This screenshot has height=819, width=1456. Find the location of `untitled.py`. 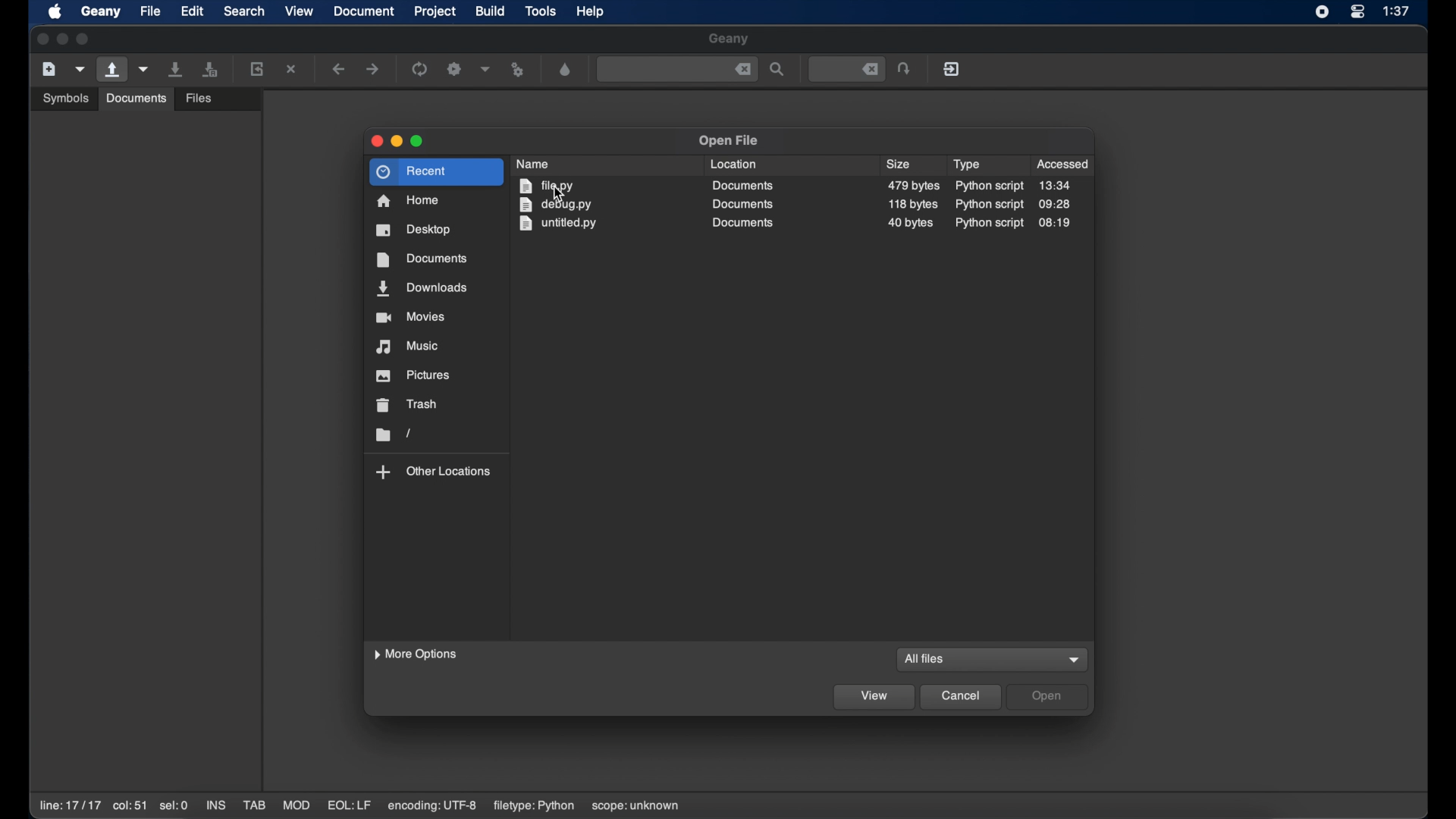

untitled.py is located at coordinates (560, 224).